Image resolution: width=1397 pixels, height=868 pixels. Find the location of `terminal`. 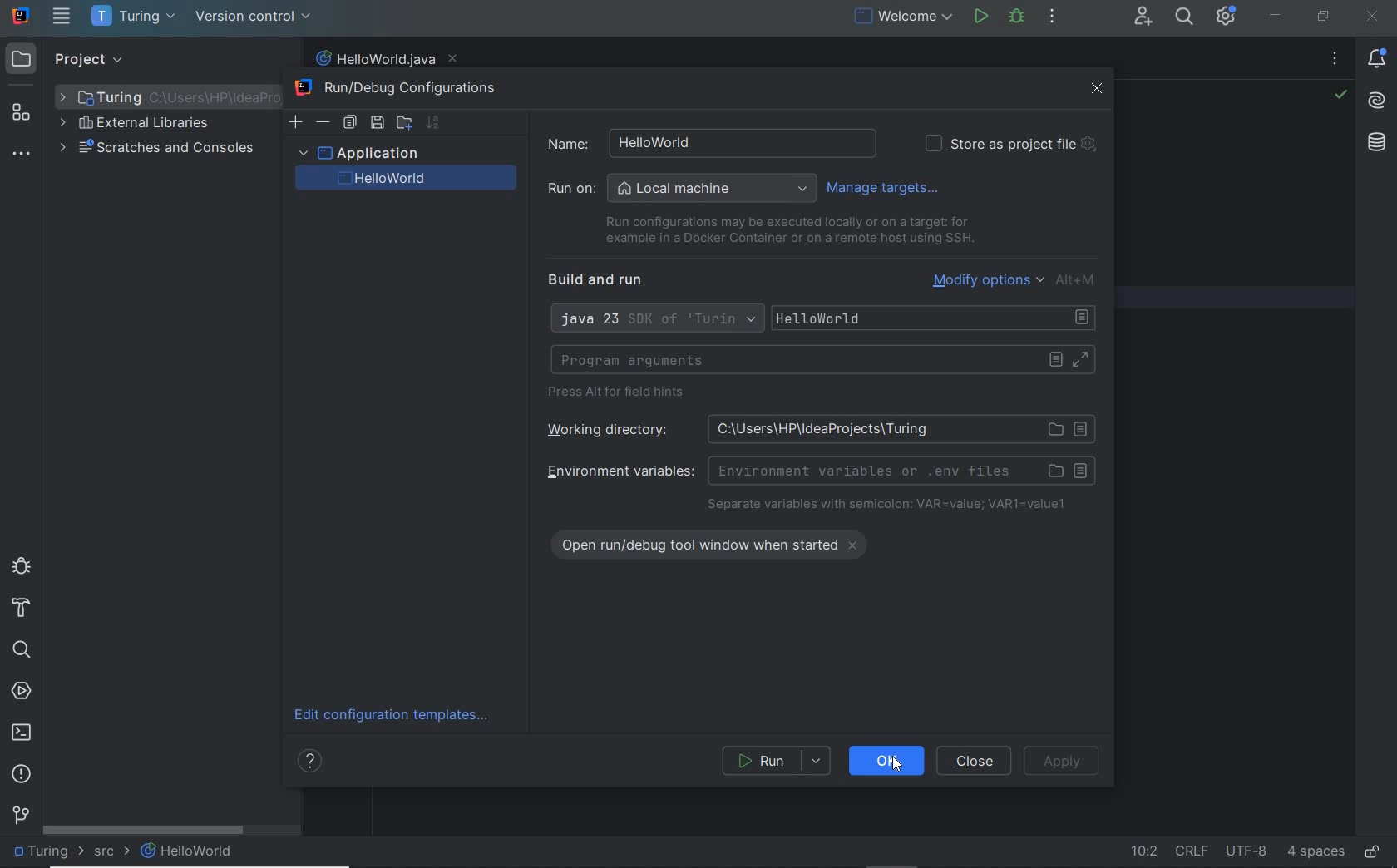

terminal is located at coordinates (22, 732).